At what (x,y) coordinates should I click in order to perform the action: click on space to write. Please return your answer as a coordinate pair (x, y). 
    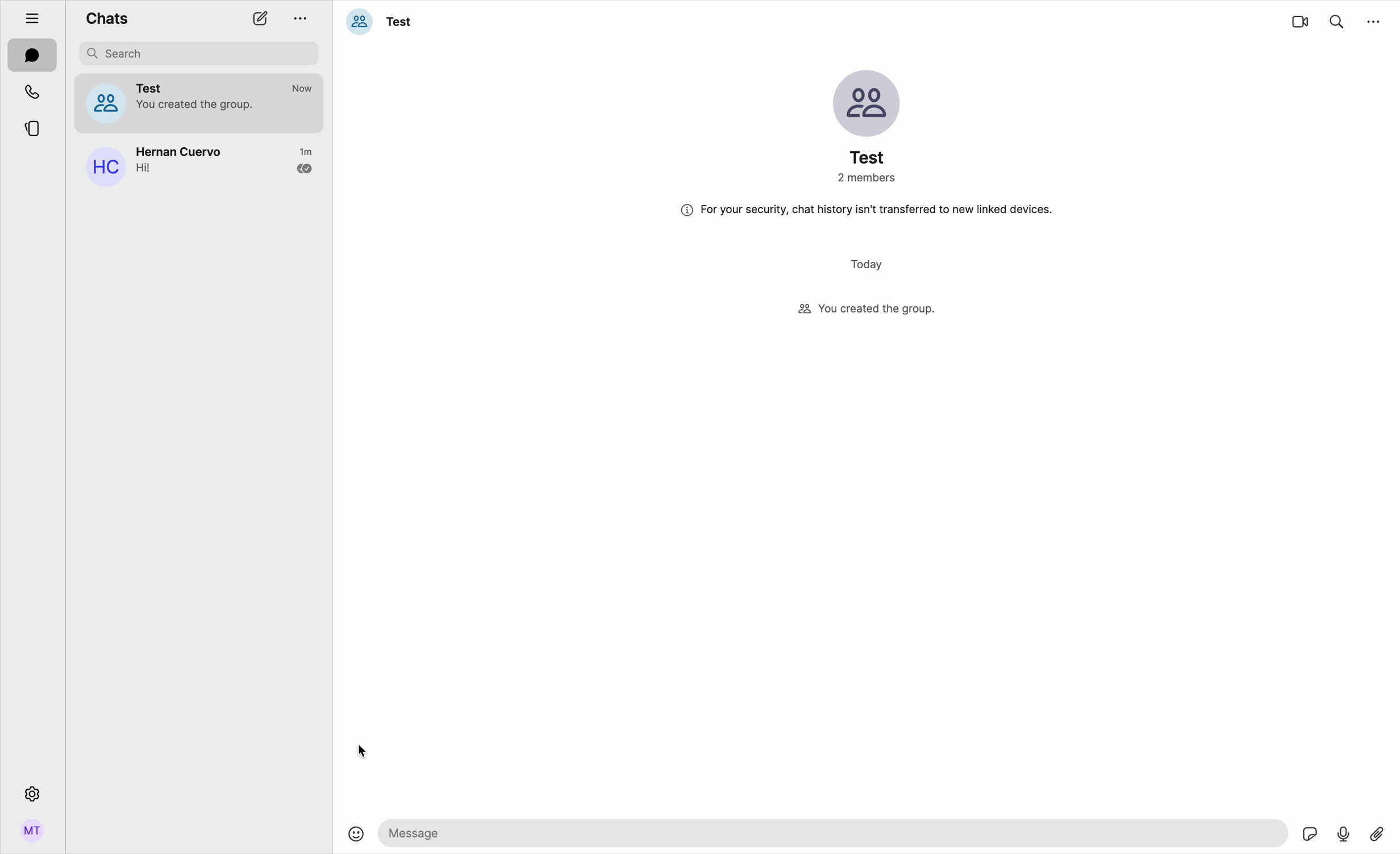
    Looking at the image, I should click on (836, 832).